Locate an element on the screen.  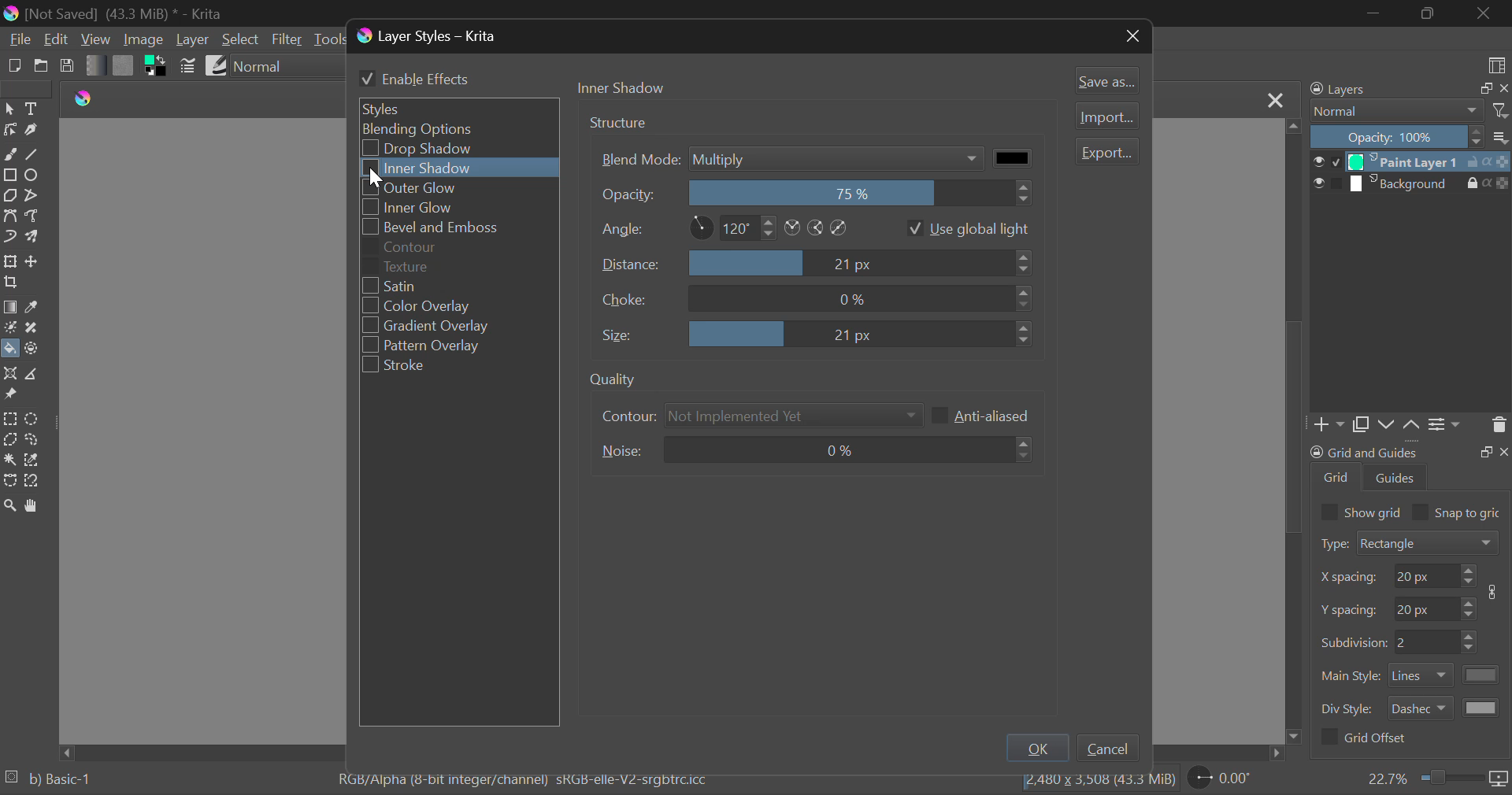
logo is located at coordinates (83, 101).